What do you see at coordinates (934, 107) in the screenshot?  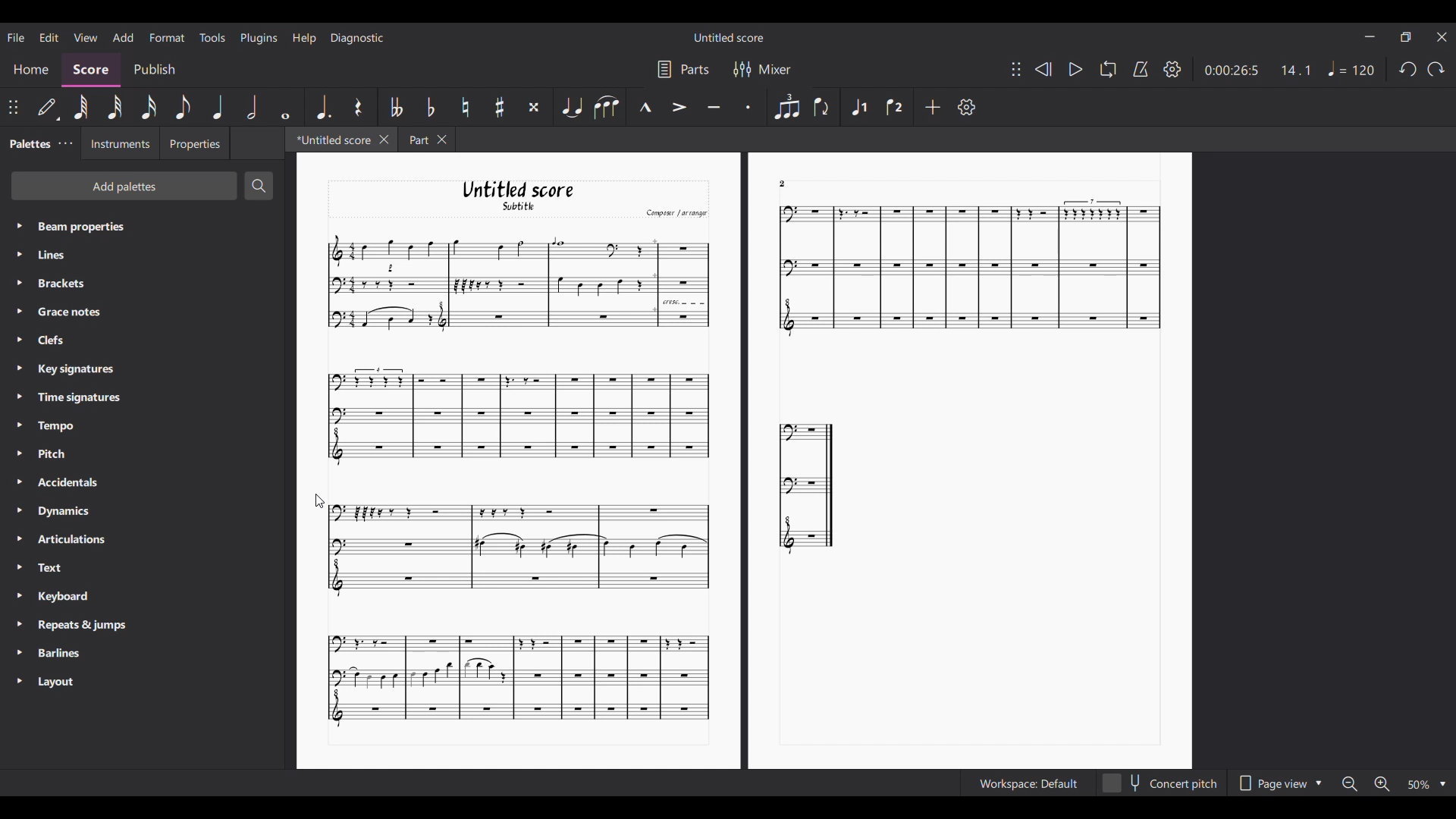 I see `Add` at bounding box center [934, 107].